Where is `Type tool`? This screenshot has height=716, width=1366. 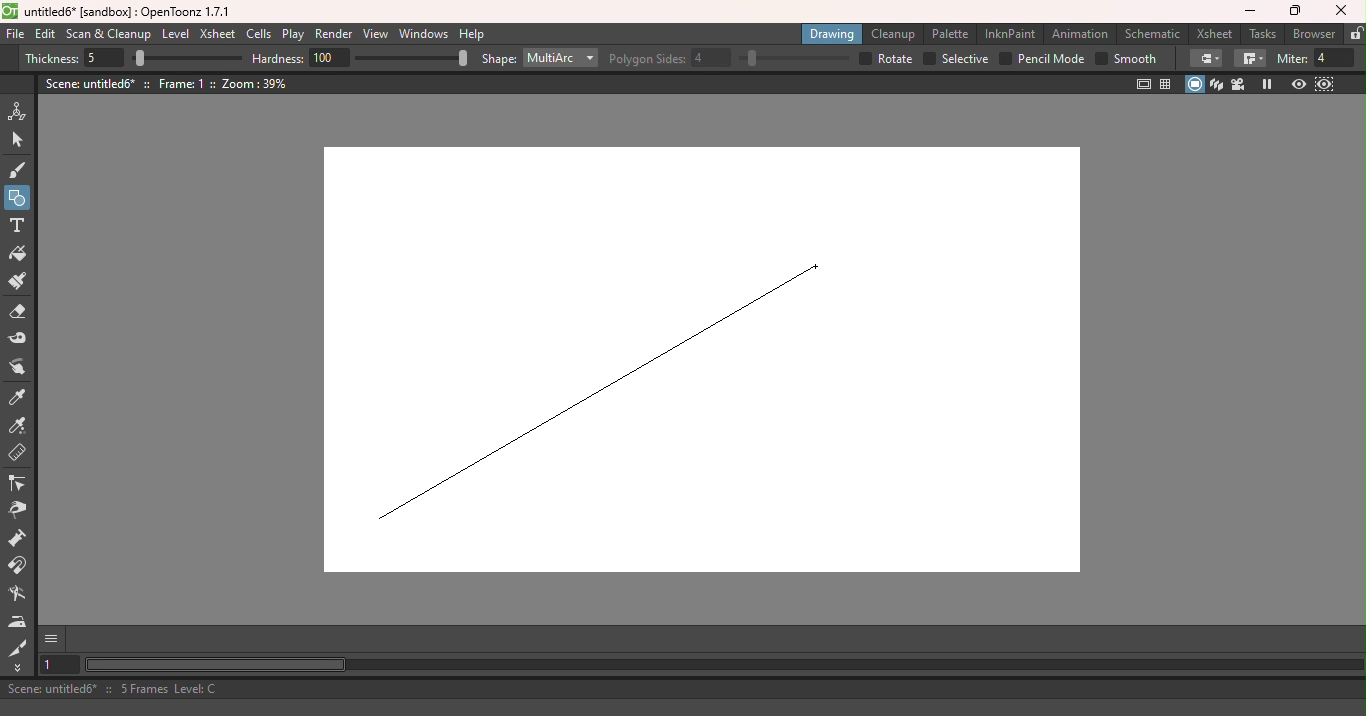 Type tool is located at coordinates (19, 226).